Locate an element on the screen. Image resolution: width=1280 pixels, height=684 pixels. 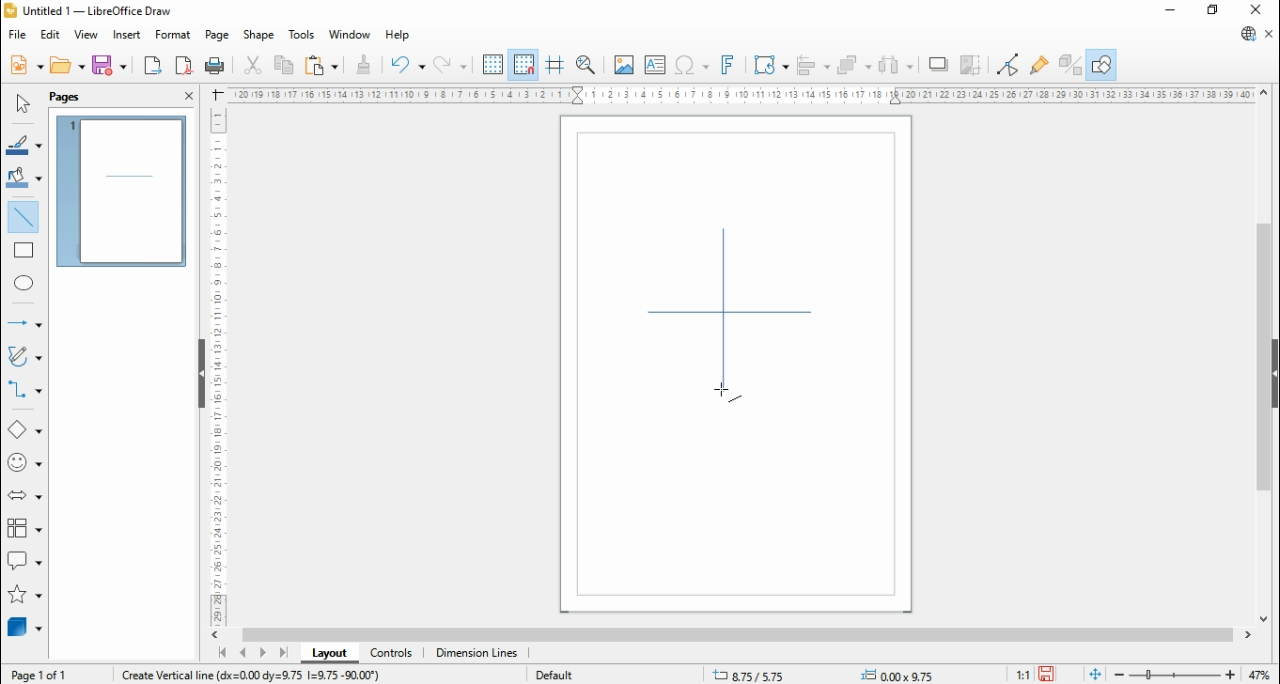
-21.10/14.59 is located at coordinates (763, 675).